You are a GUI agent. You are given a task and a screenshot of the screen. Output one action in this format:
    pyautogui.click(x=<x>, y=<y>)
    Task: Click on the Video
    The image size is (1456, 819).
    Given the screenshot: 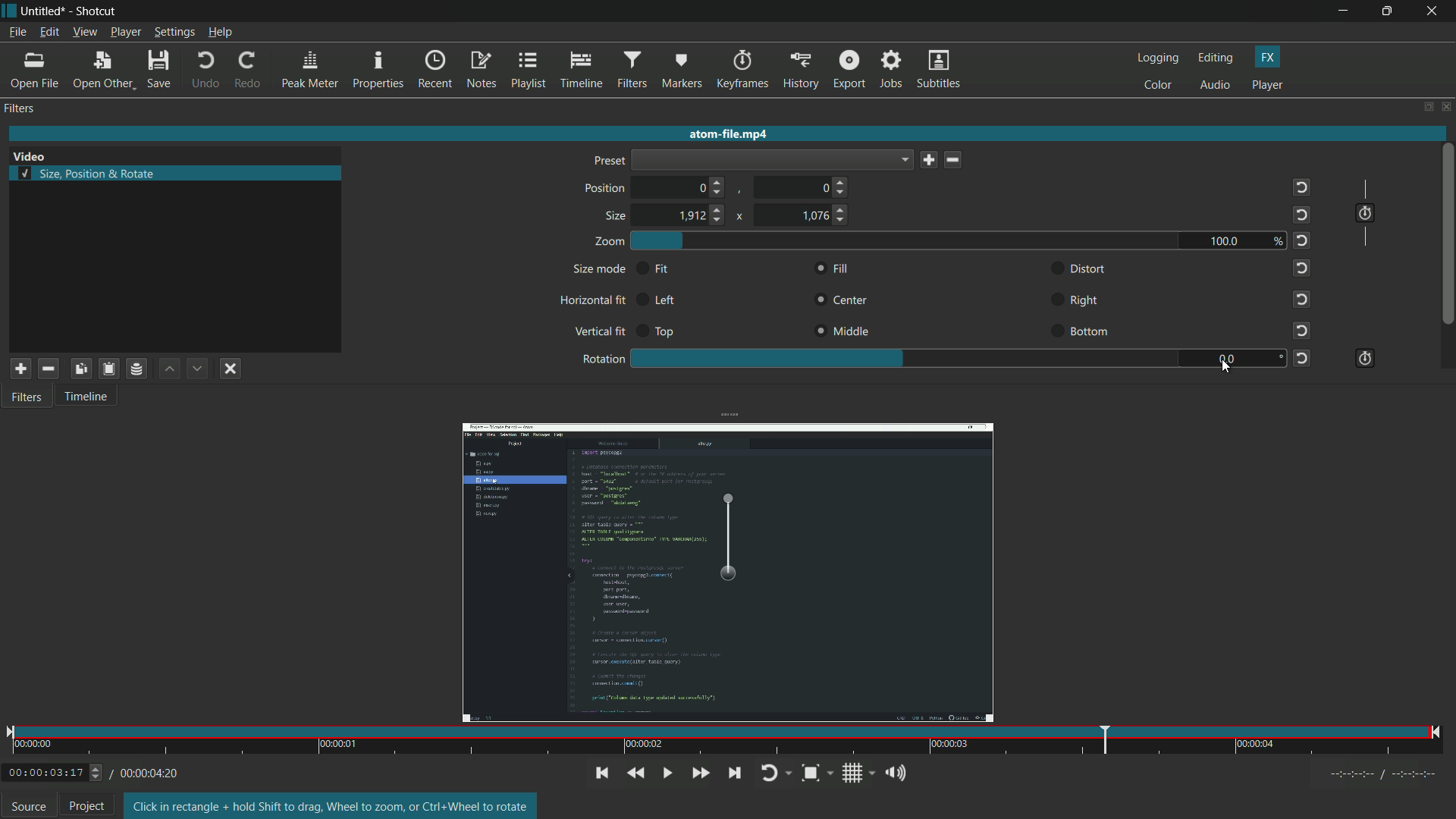 What is the action you would take?
    pyautogui.click(x=36, y=152)
    